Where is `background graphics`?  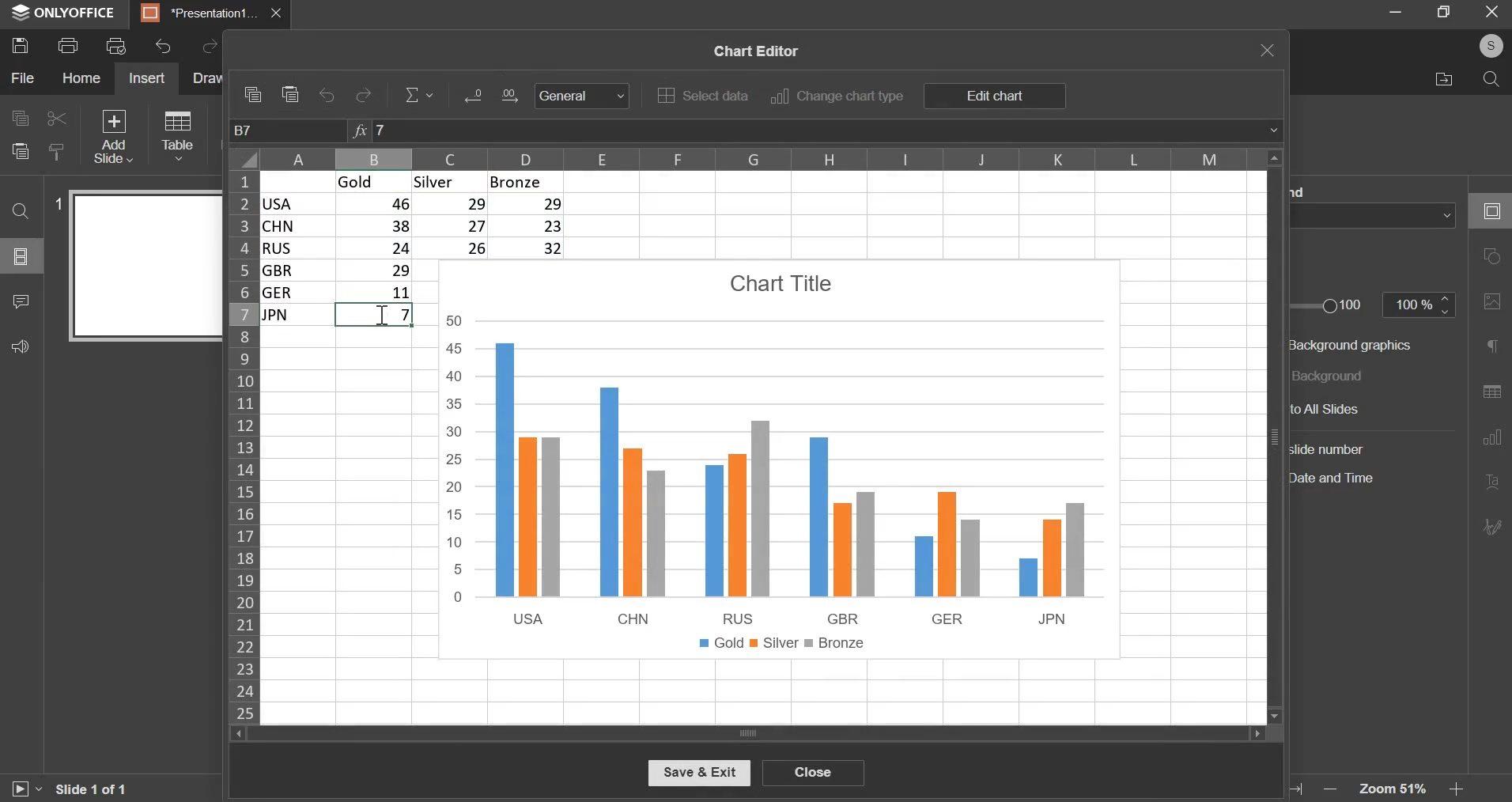
background graphics is located at coordinates (1355, 344).